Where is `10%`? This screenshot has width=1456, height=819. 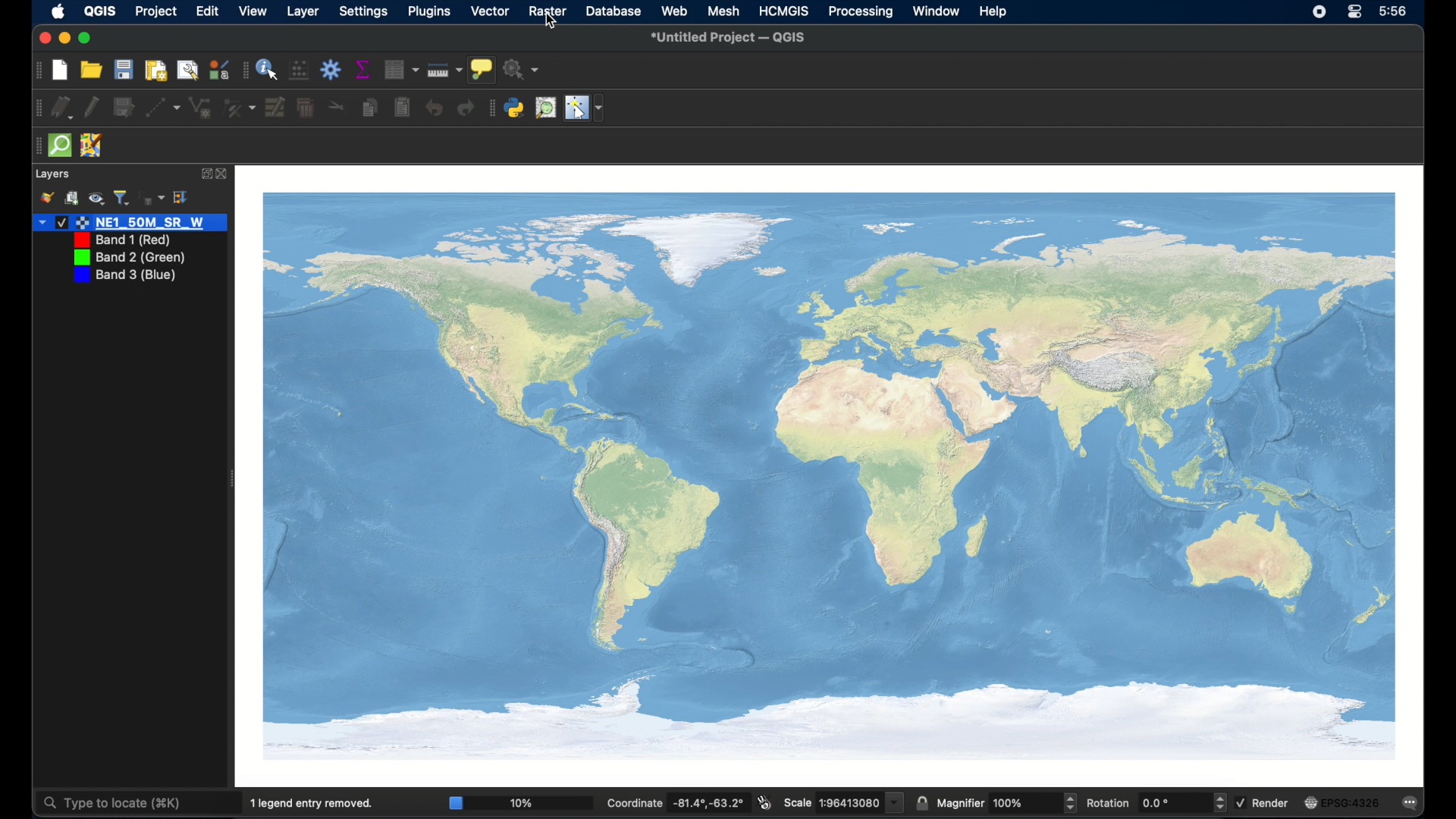
10% is located at coordinates (519, 802).